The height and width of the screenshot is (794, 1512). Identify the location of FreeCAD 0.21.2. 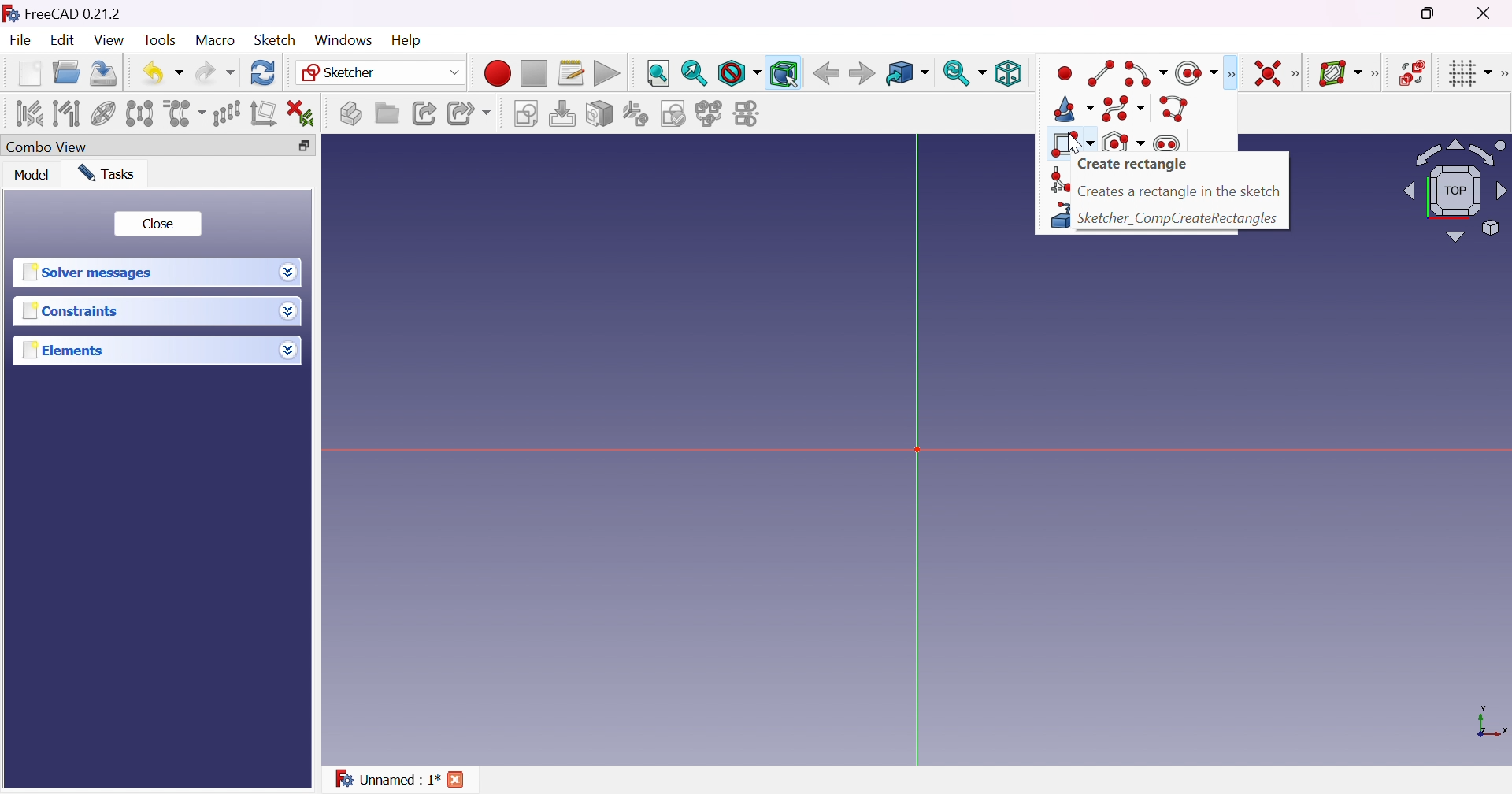
(72, 13).